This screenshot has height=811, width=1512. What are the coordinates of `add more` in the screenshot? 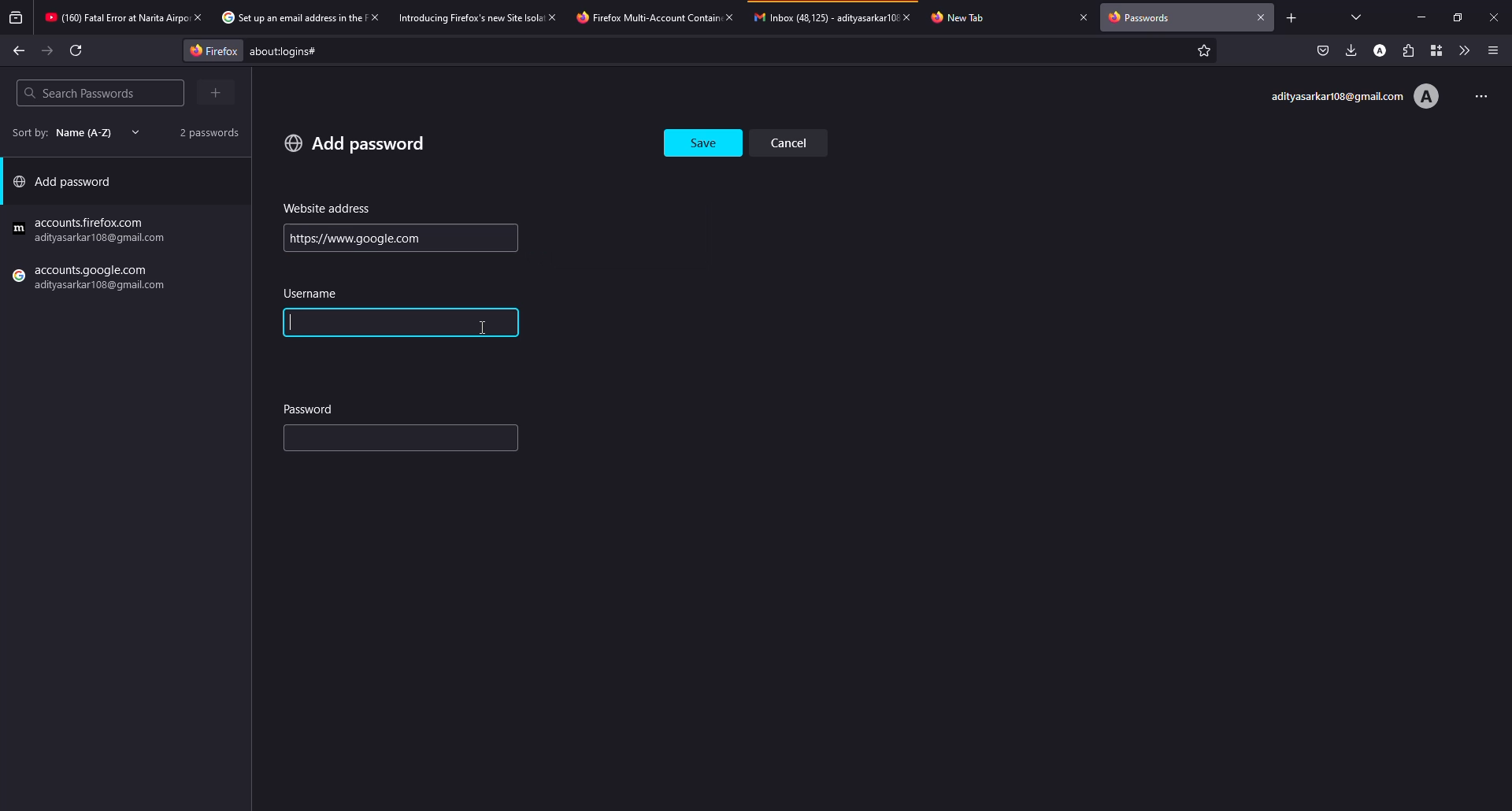 It's located at (218, 92).